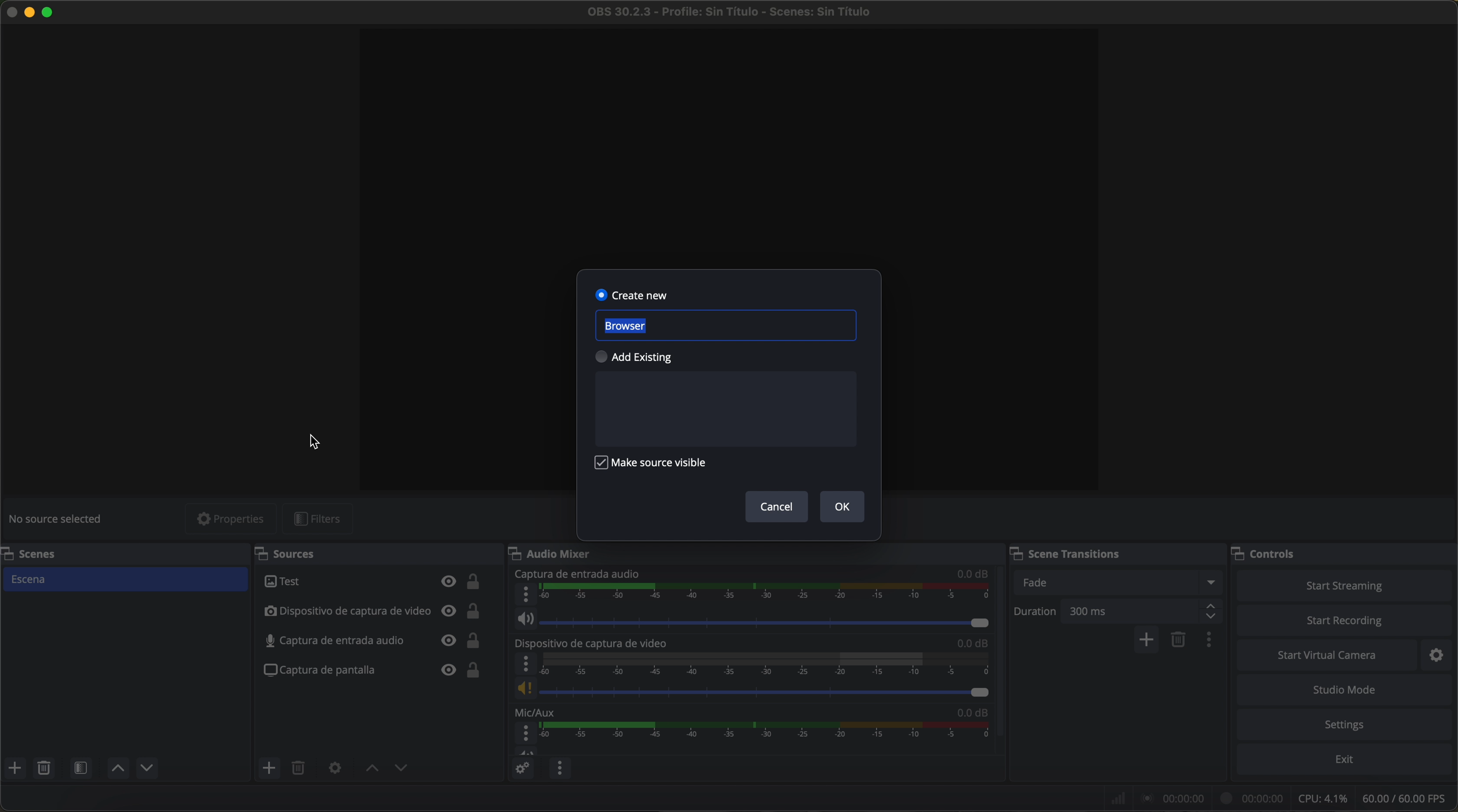  Describe the element at coordinates (756, 620) in the screenshot. I see `vol` at that location.